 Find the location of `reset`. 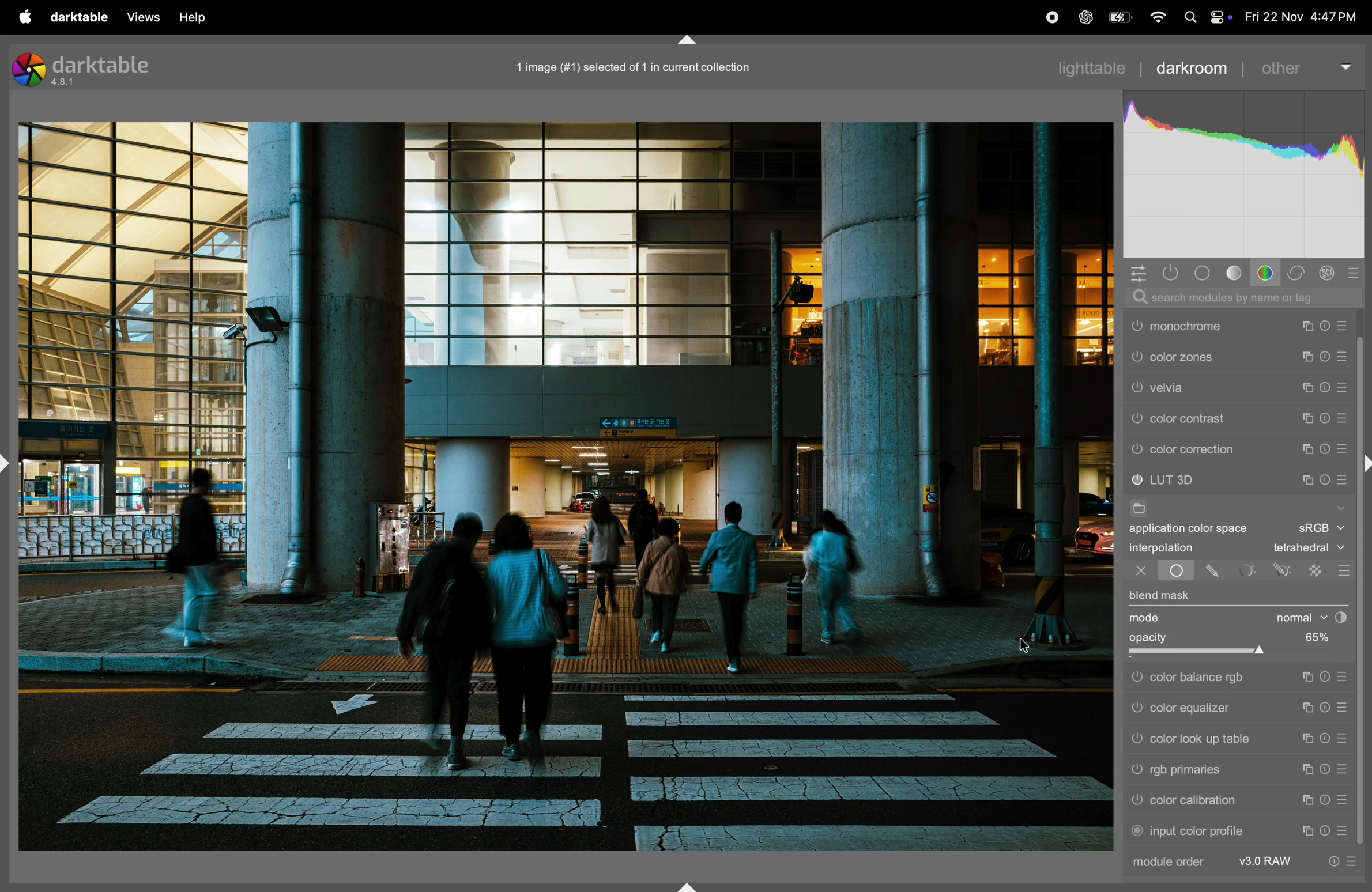

reset is located at coordinates (1325, 322).